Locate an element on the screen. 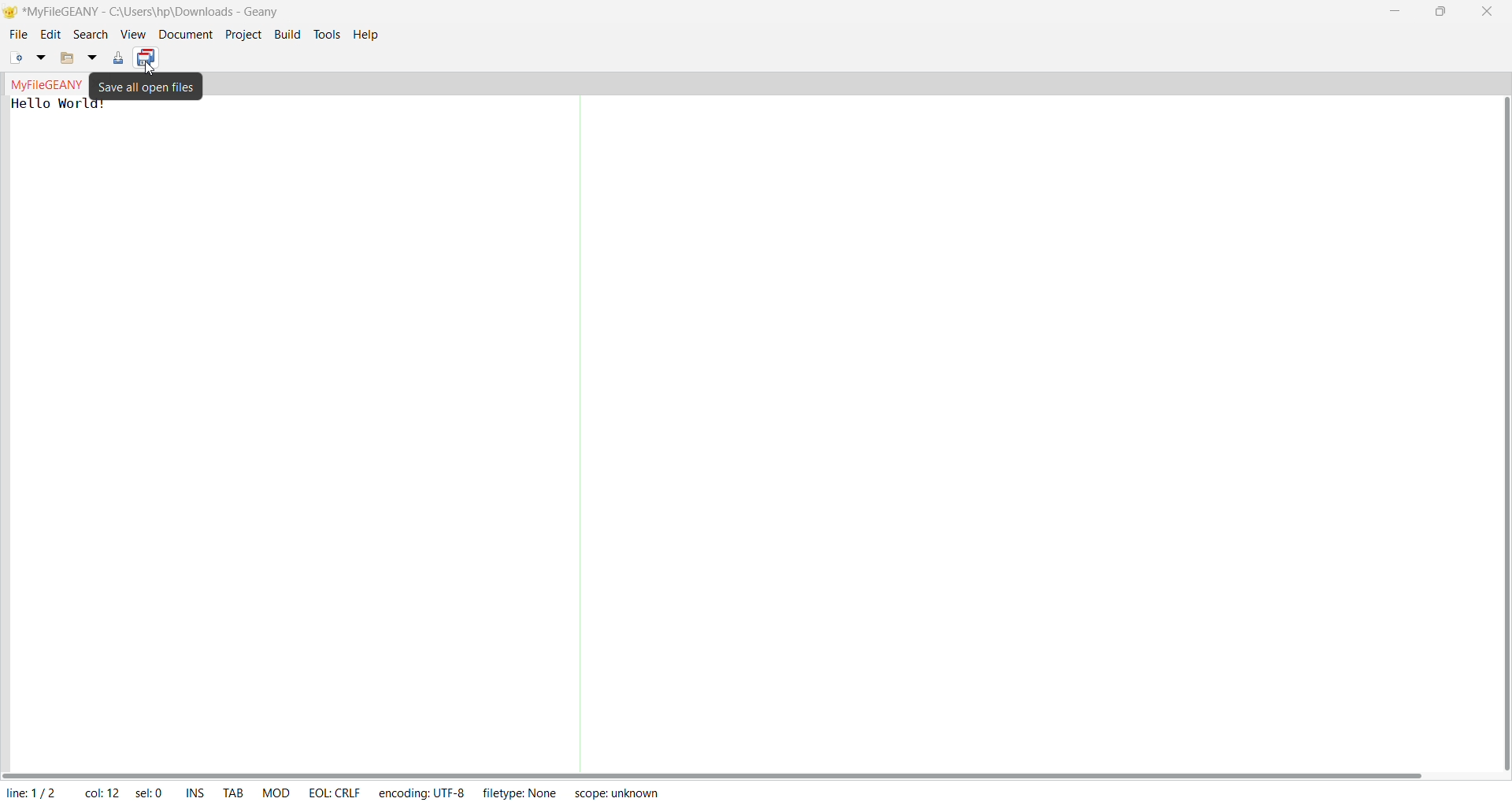  EOL: CRLF is located at coordinates (335, 793).